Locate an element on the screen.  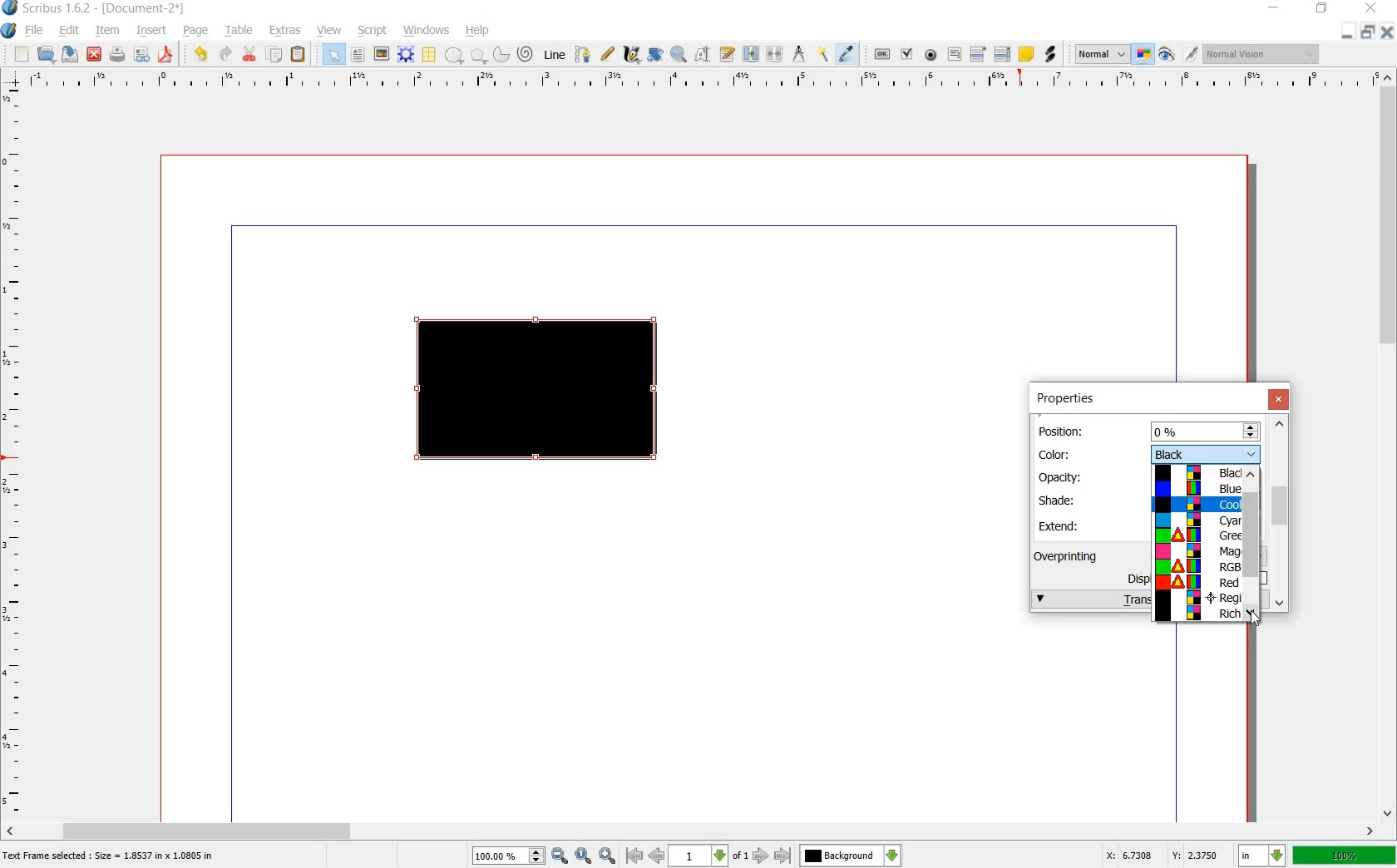
preflight verifier is located at coordinates (141, 55).